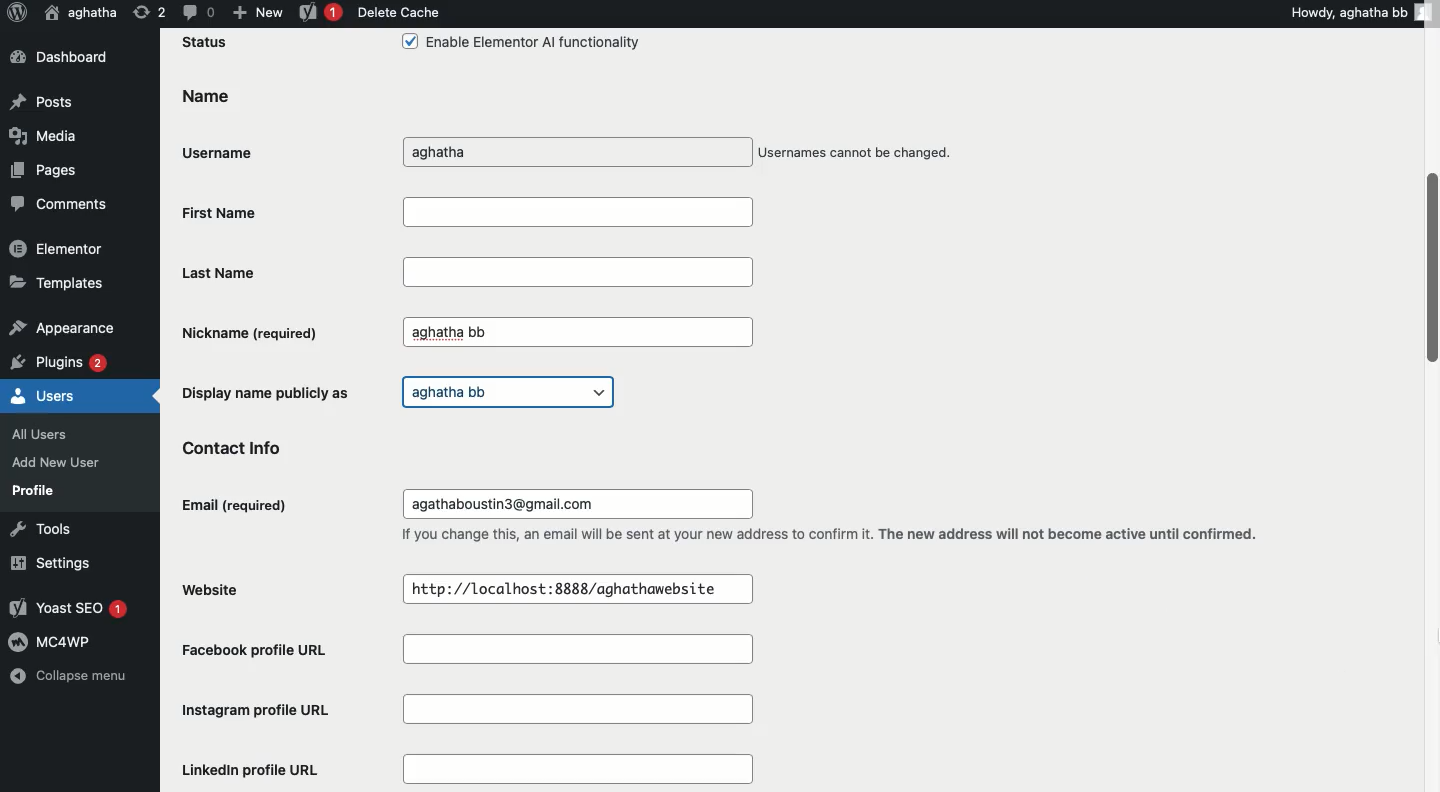 Image resolution: width=1440 pixels, height=792 pixels. I want to click on Howdy, aghatha, so click(1347, 12).